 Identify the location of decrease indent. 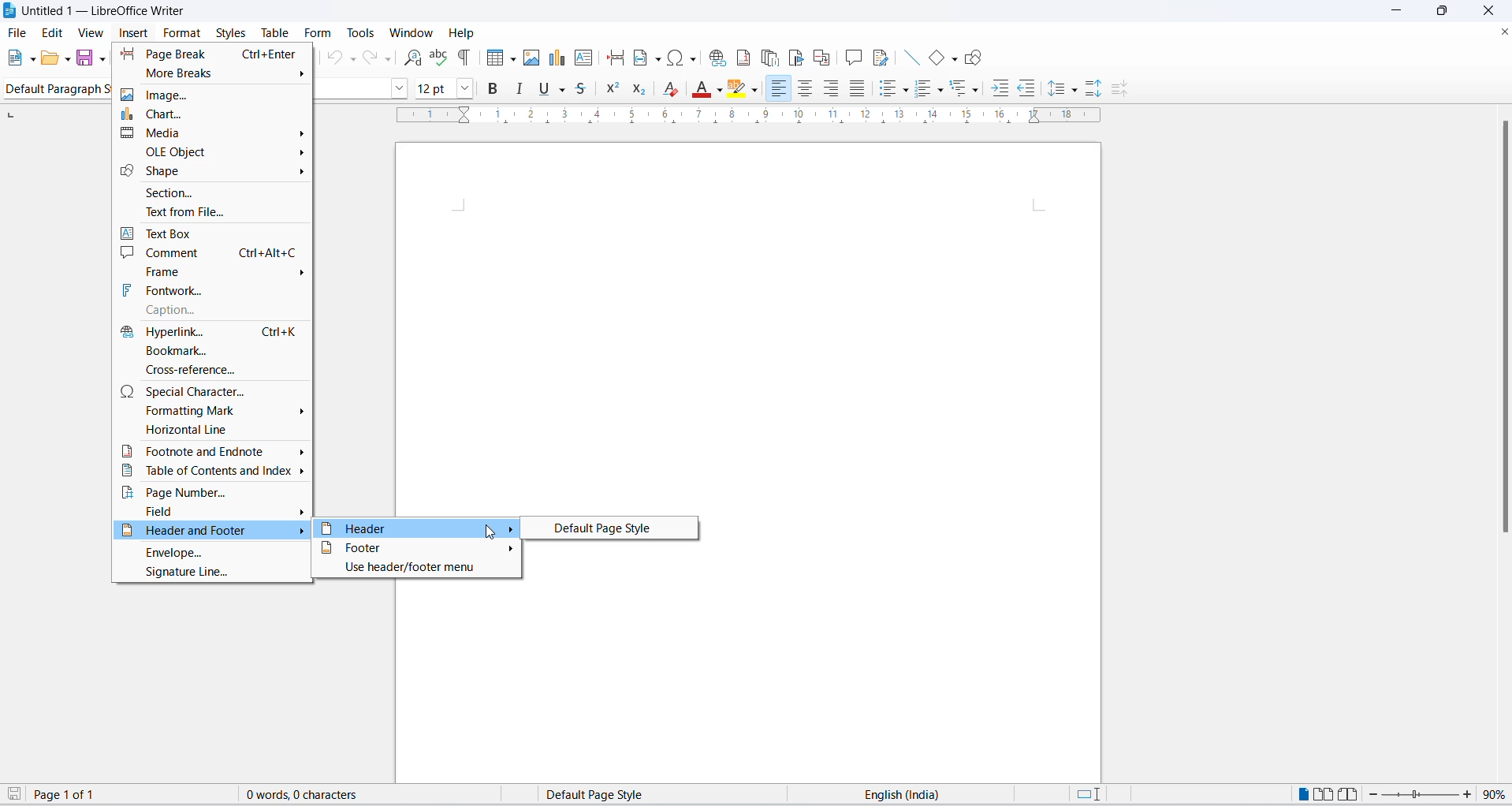
(1029, 88).